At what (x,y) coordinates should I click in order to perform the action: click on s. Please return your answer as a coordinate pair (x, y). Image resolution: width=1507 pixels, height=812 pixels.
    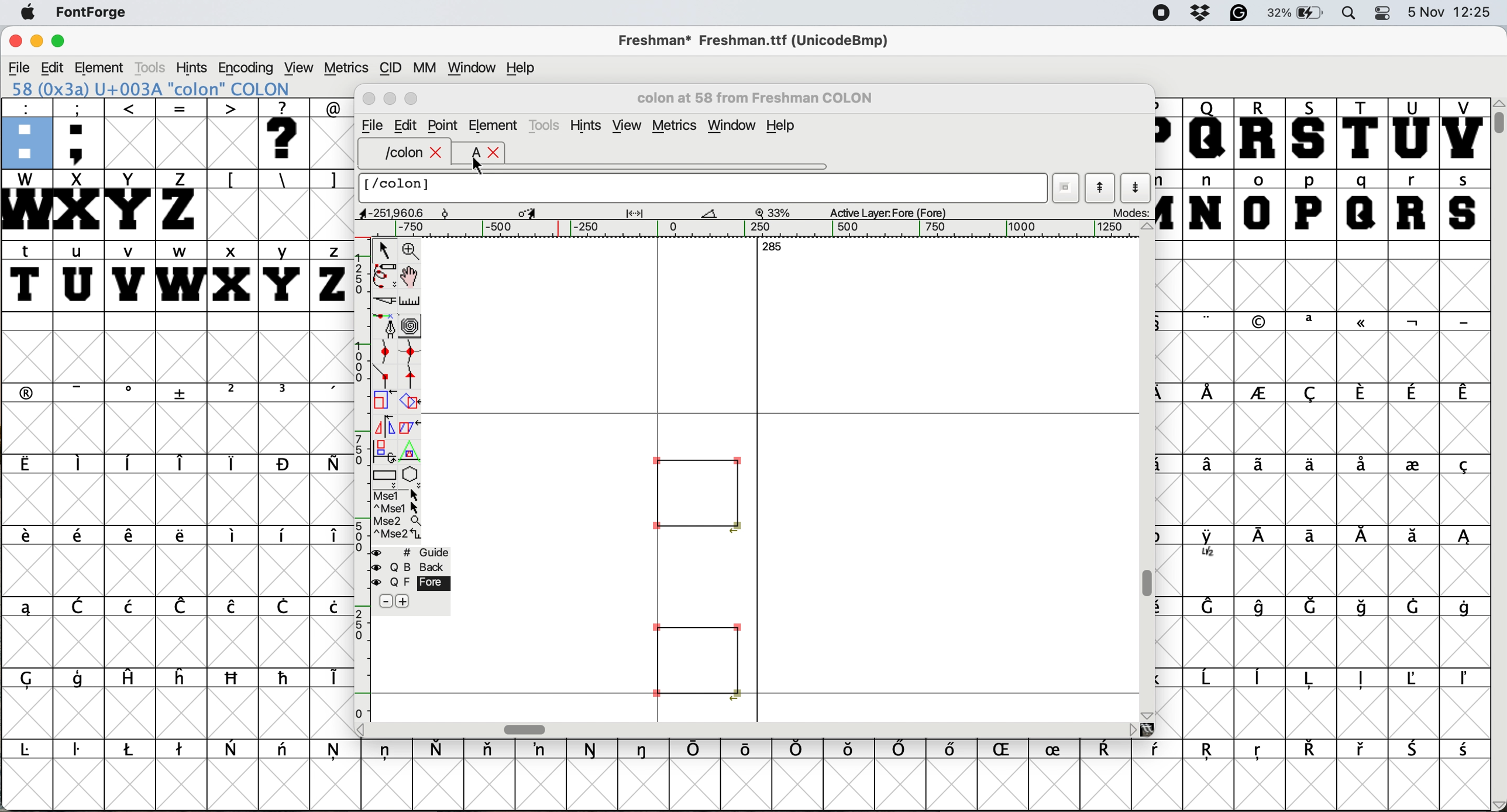
    Looking at the image, I should click on (1464, 204).